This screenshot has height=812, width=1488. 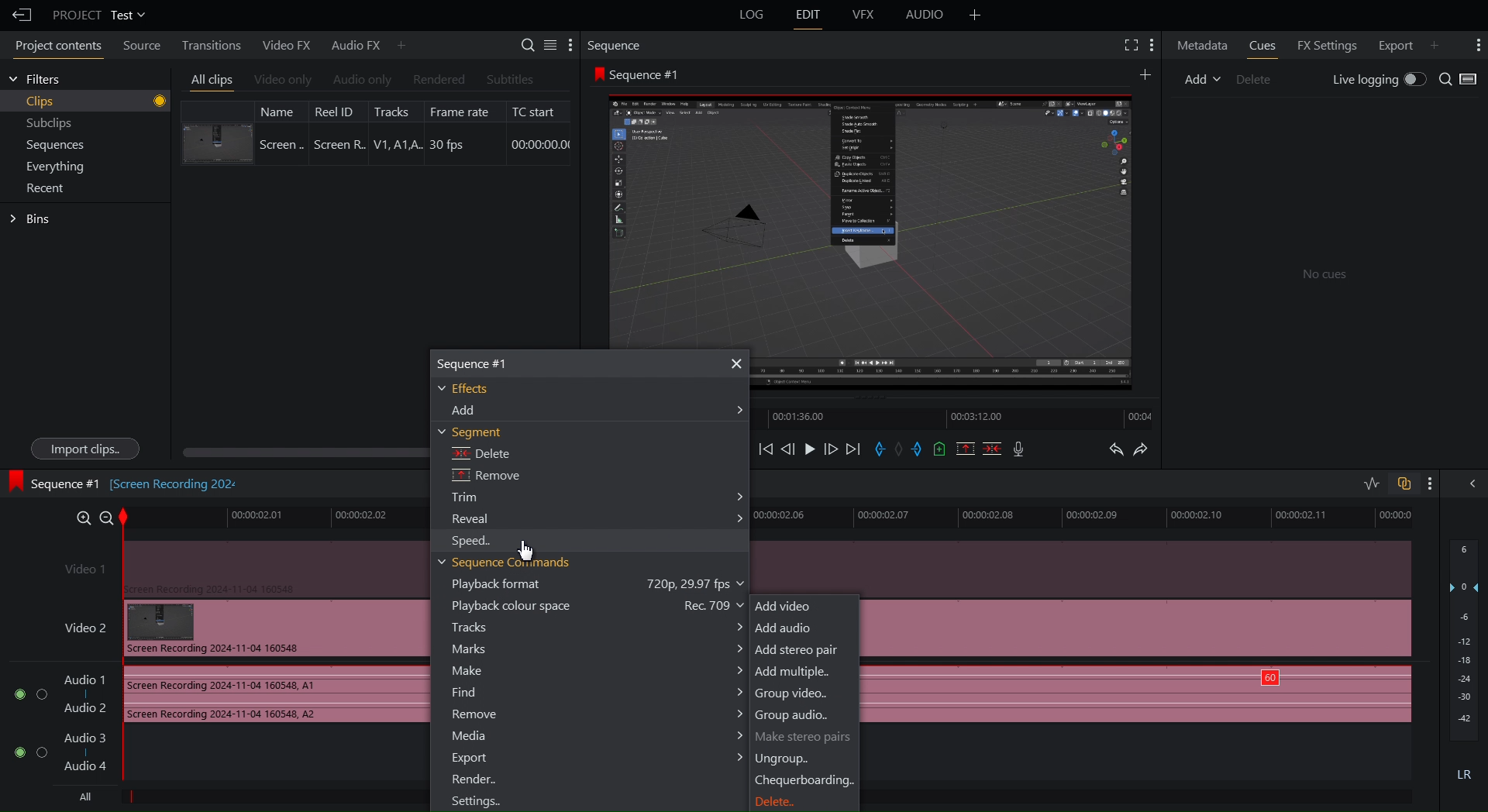 What do you see at coordinates (1387, 485) in the screenshot?
I see `Toggles` at bounding box center [1387, 485].